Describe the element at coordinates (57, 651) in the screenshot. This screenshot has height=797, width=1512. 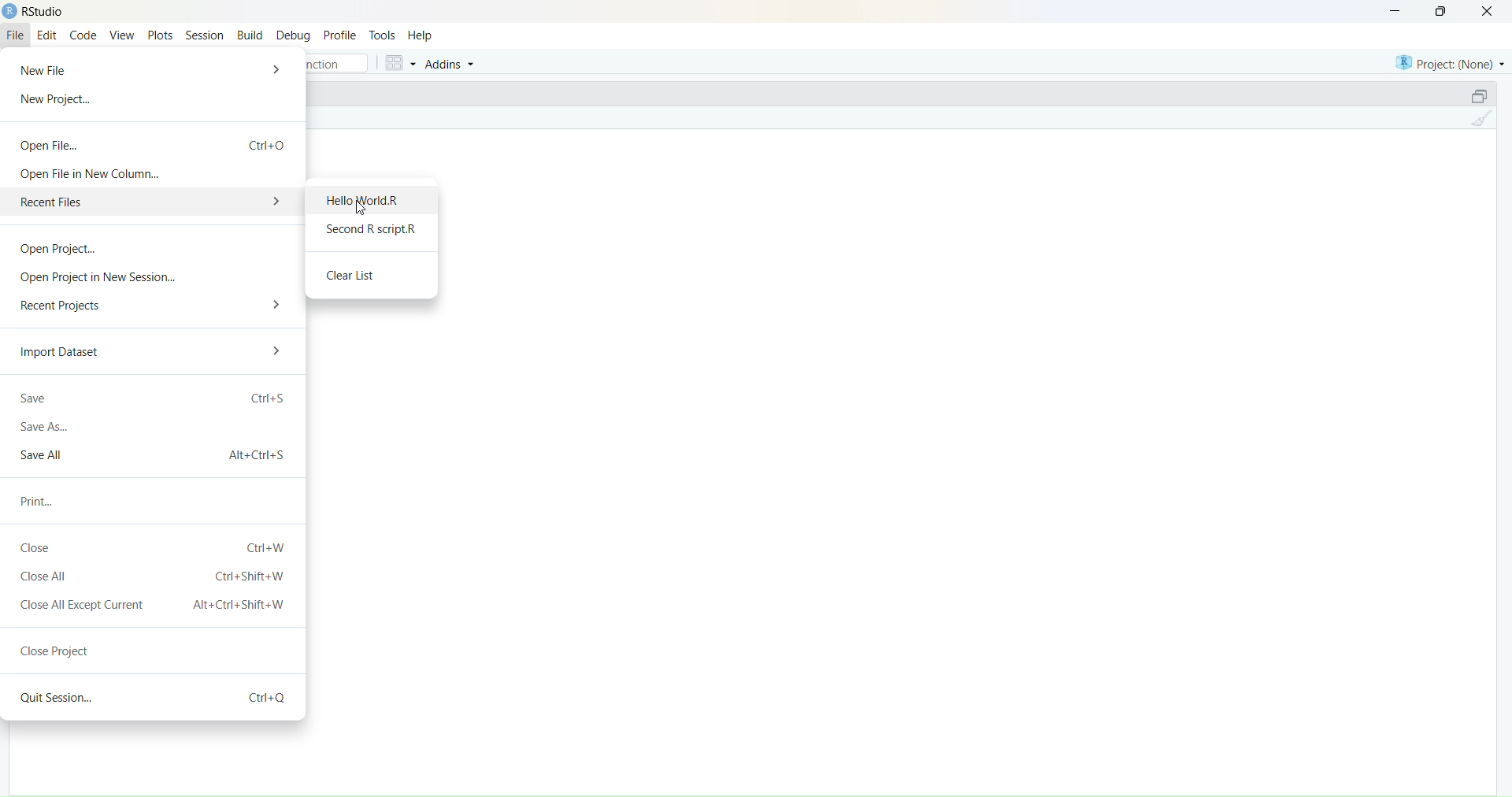
I see `Close Project` at that location.